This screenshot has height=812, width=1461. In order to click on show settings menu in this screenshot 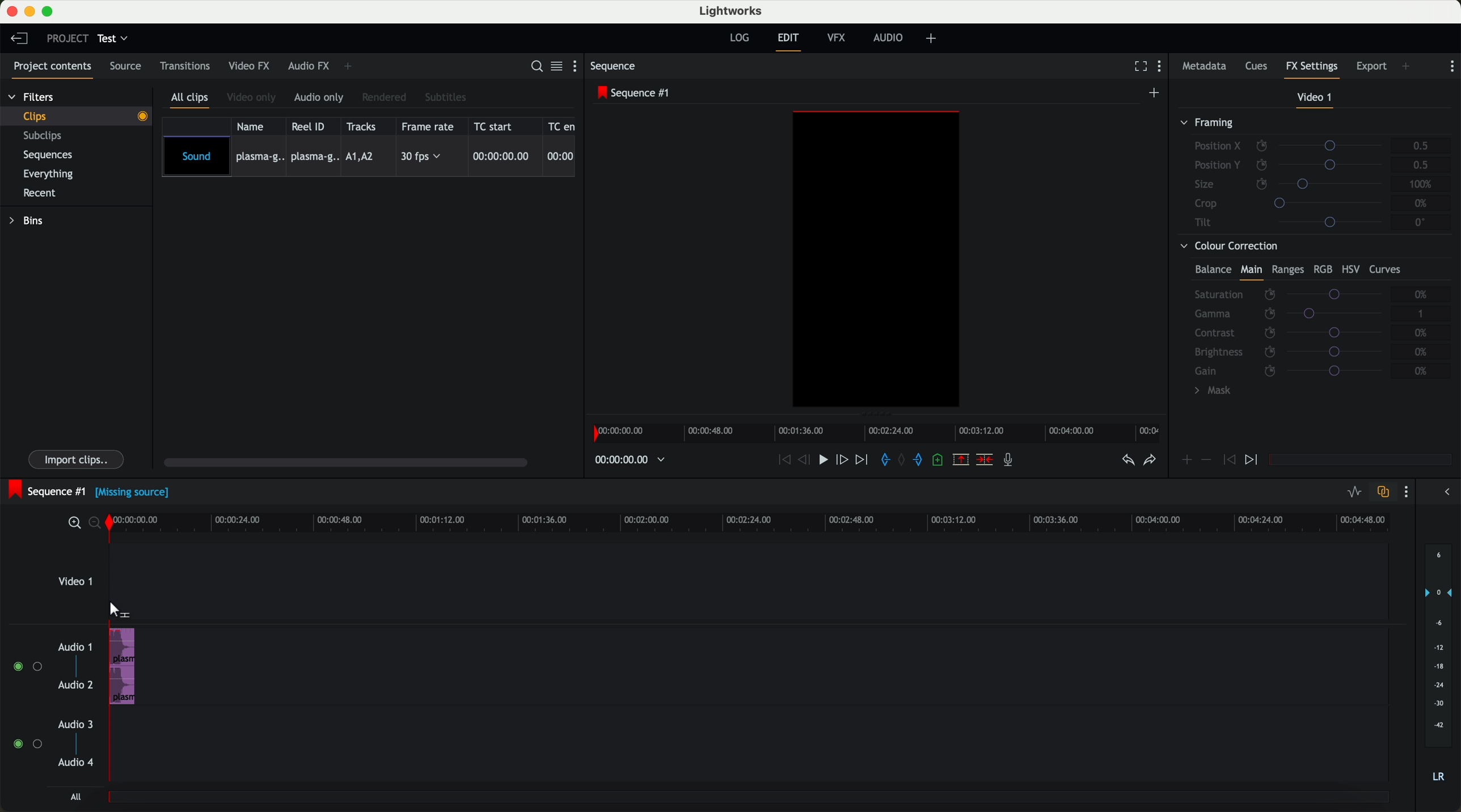, I will do `click(1164, 68)`.